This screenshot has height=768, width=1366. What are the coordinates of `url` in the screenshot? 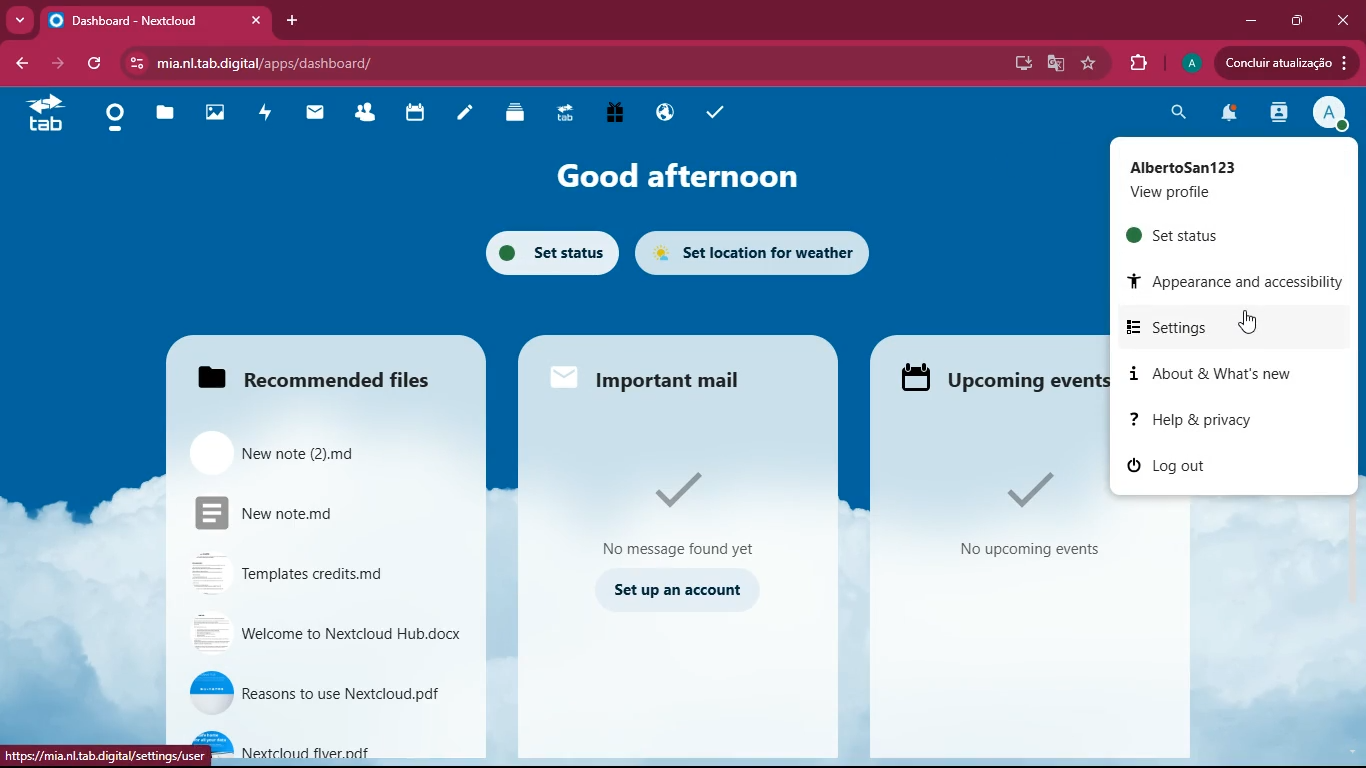 It's located at (287, 60).